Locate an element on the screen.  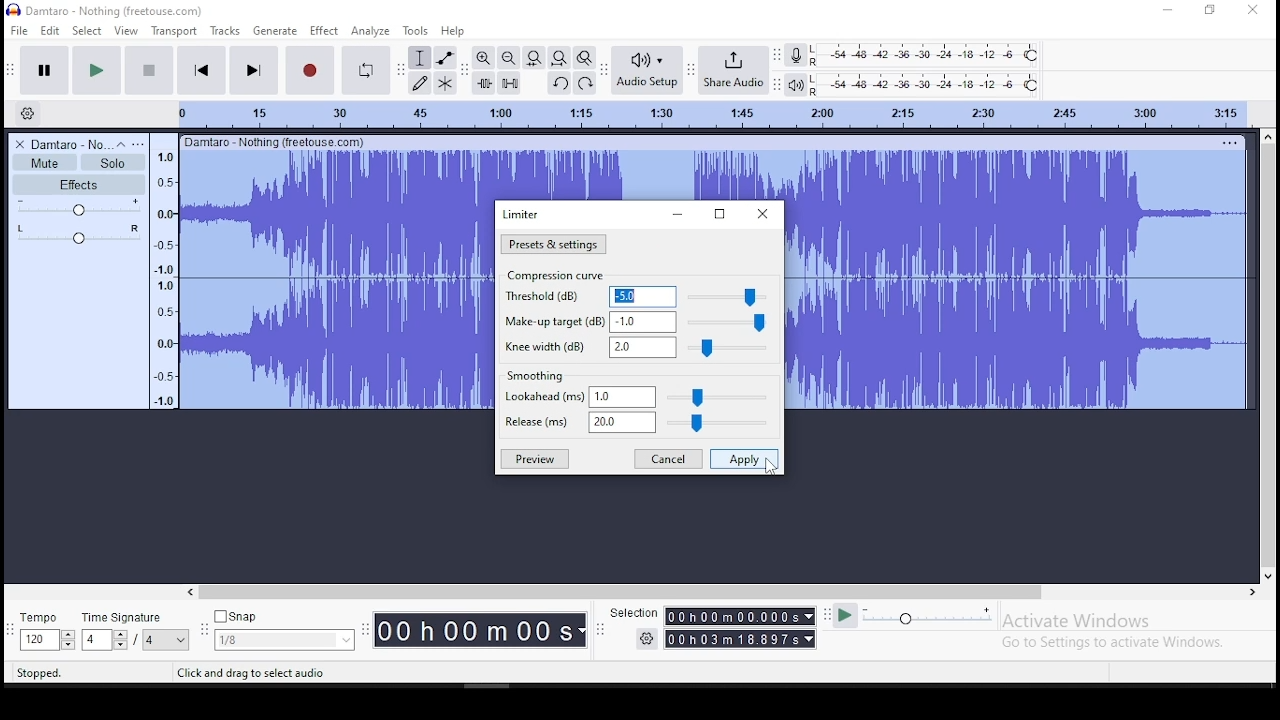
stopped is located at coordinates (39, 673).